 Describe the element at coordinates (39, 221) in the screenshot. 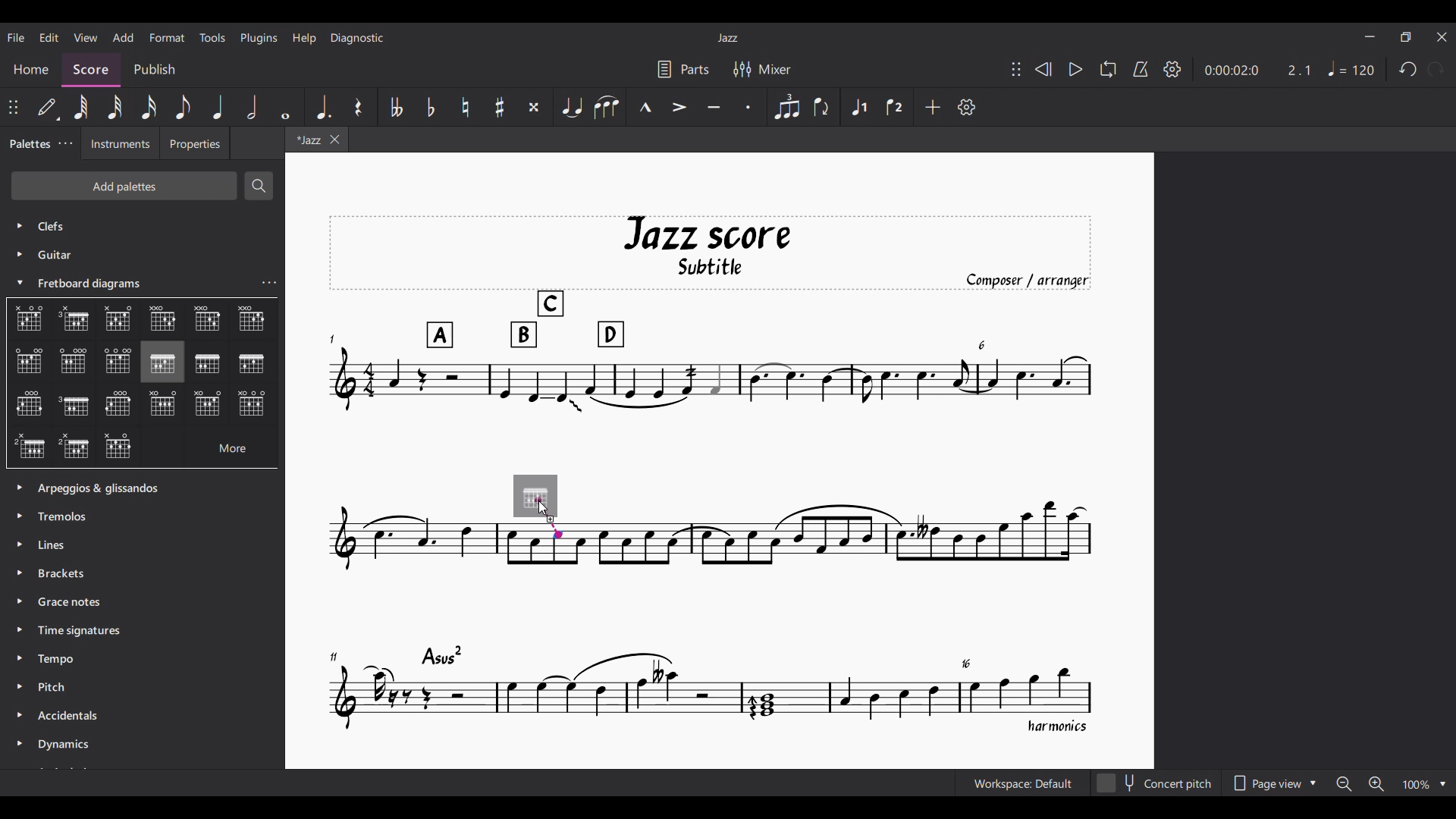

I see `Cliff` at that location.